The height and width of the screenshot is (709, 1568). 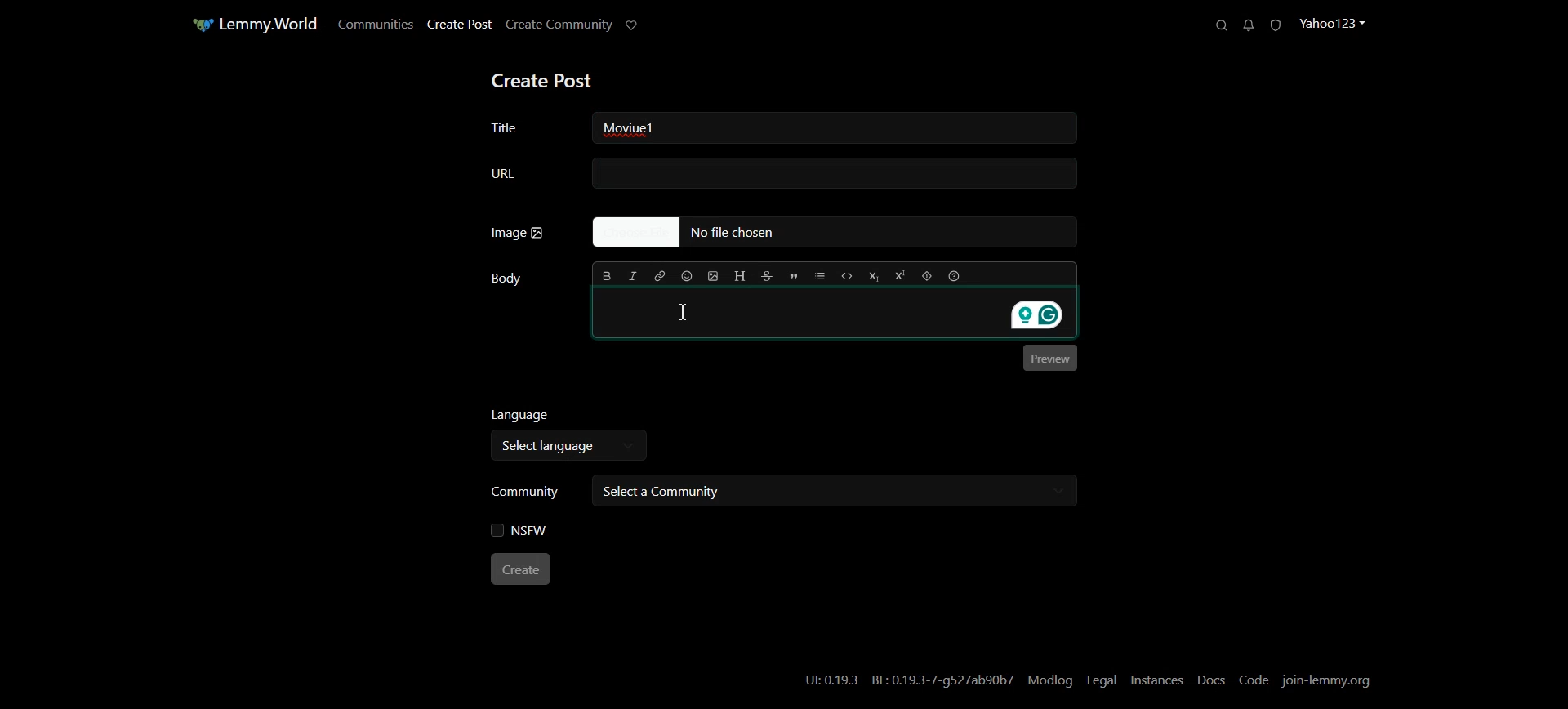 I want to click on Modlog, so click(x=1052, y=680).